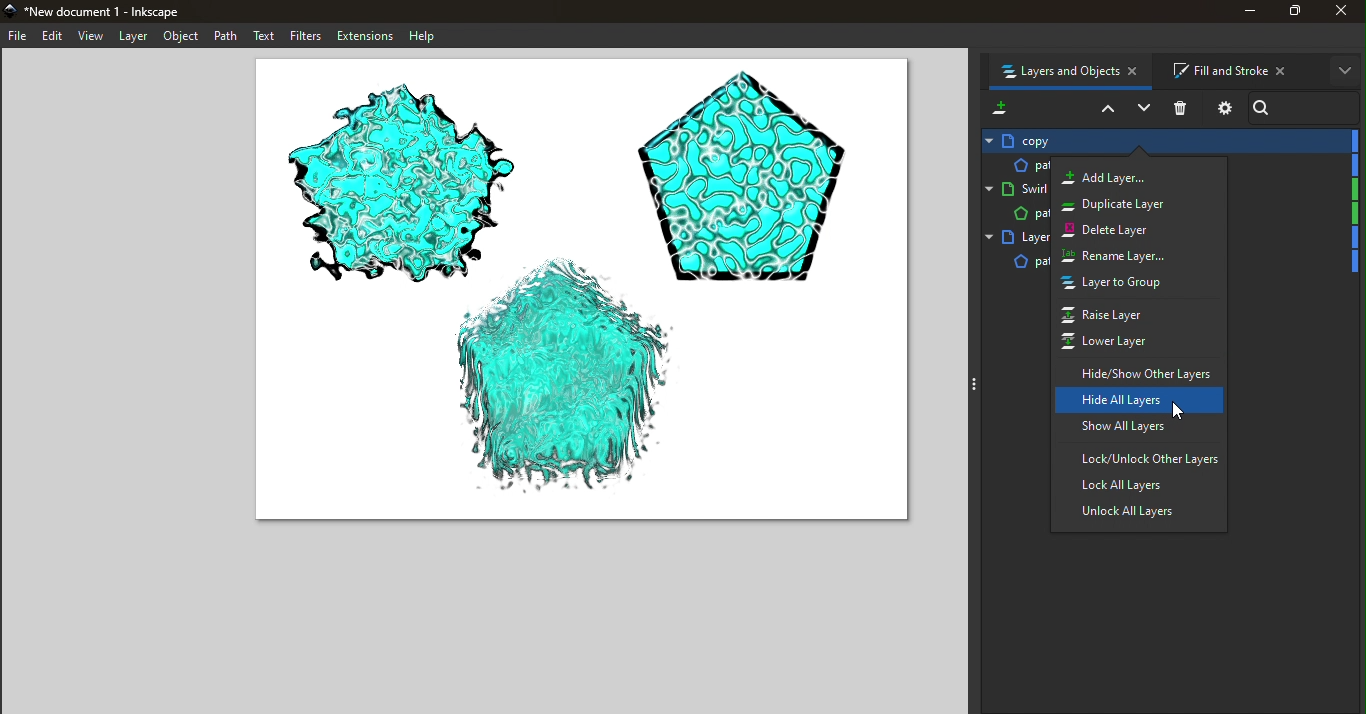 The image size is (1366, 714). I want to click on Layer, so click(1016, 189).